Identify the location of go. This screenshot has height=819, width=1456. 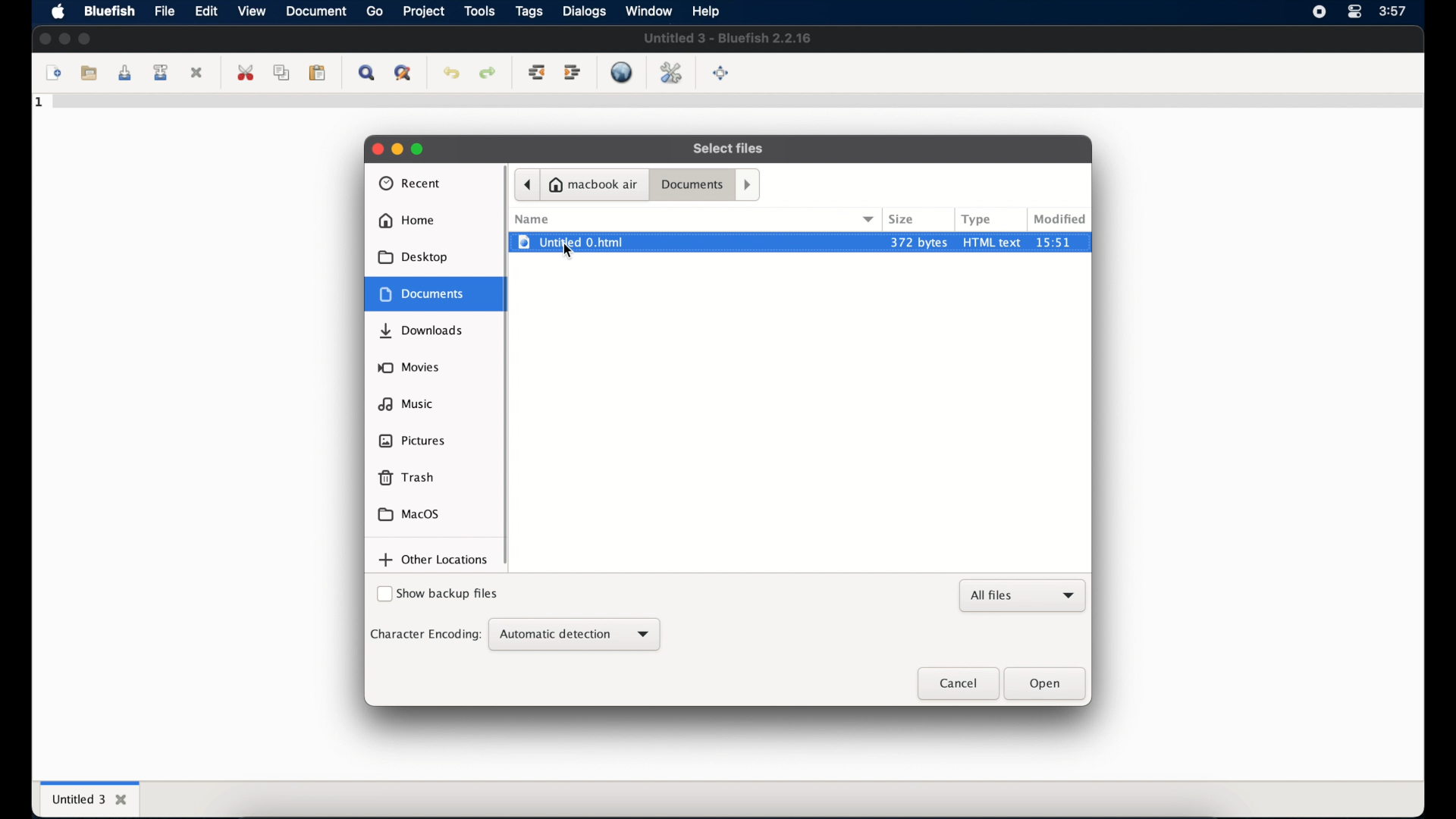
(375, 11).